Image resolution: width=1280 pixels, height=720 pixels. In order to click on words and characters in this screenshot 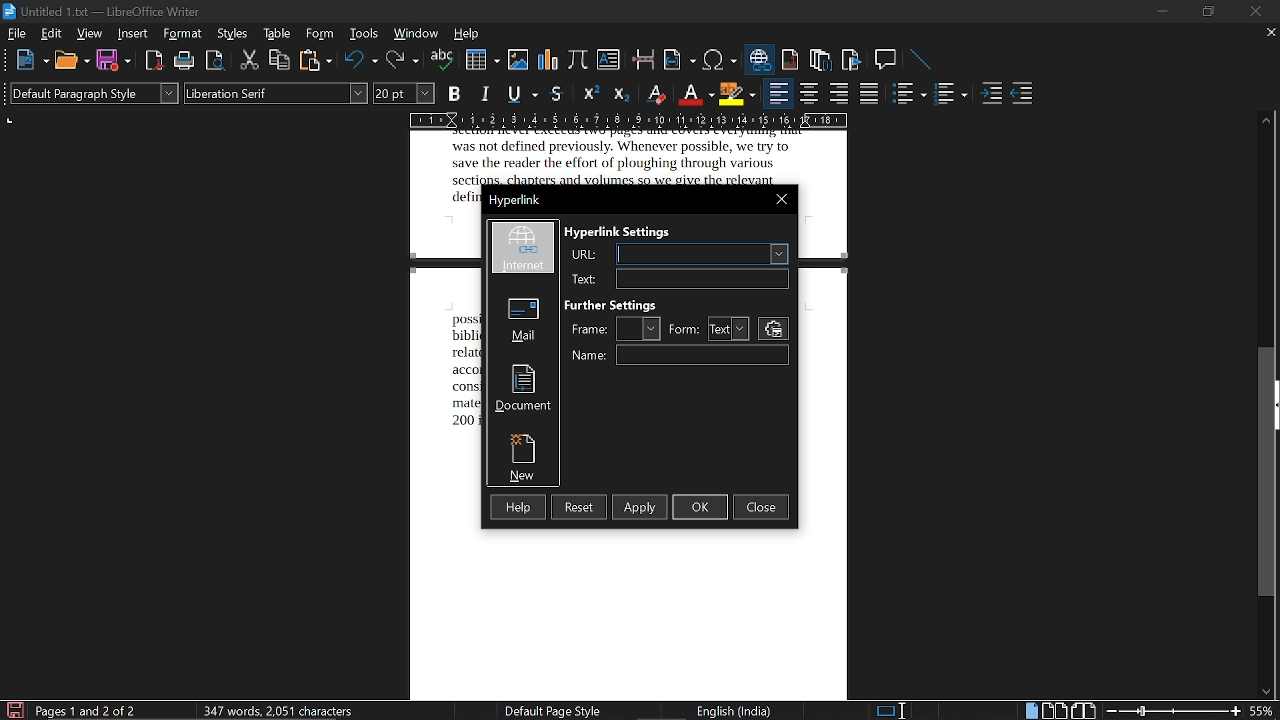, I will do `click(276, 710)`.